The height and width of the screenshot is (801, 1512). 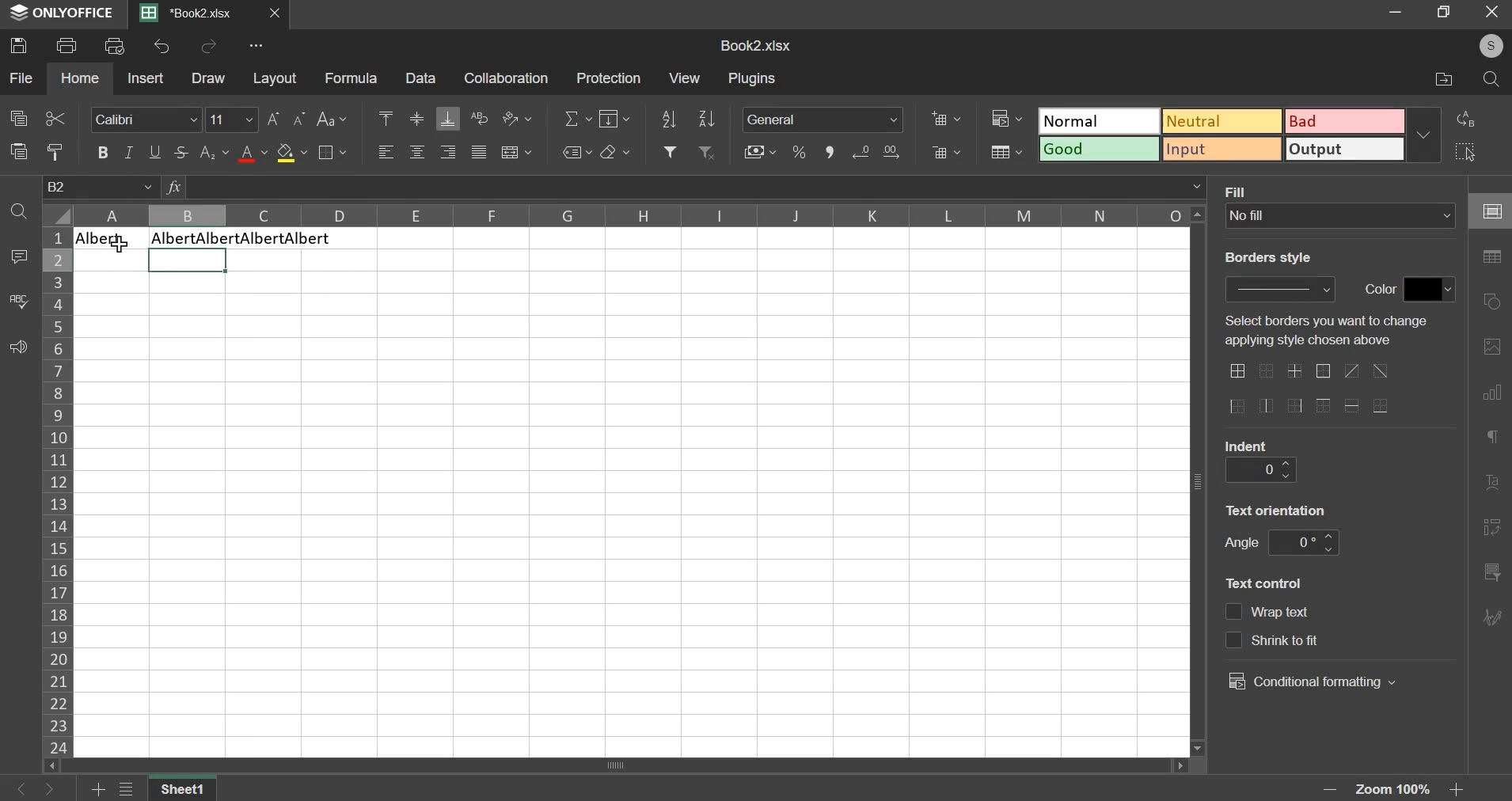 I want to click on copy, so click(x=19, y=118).